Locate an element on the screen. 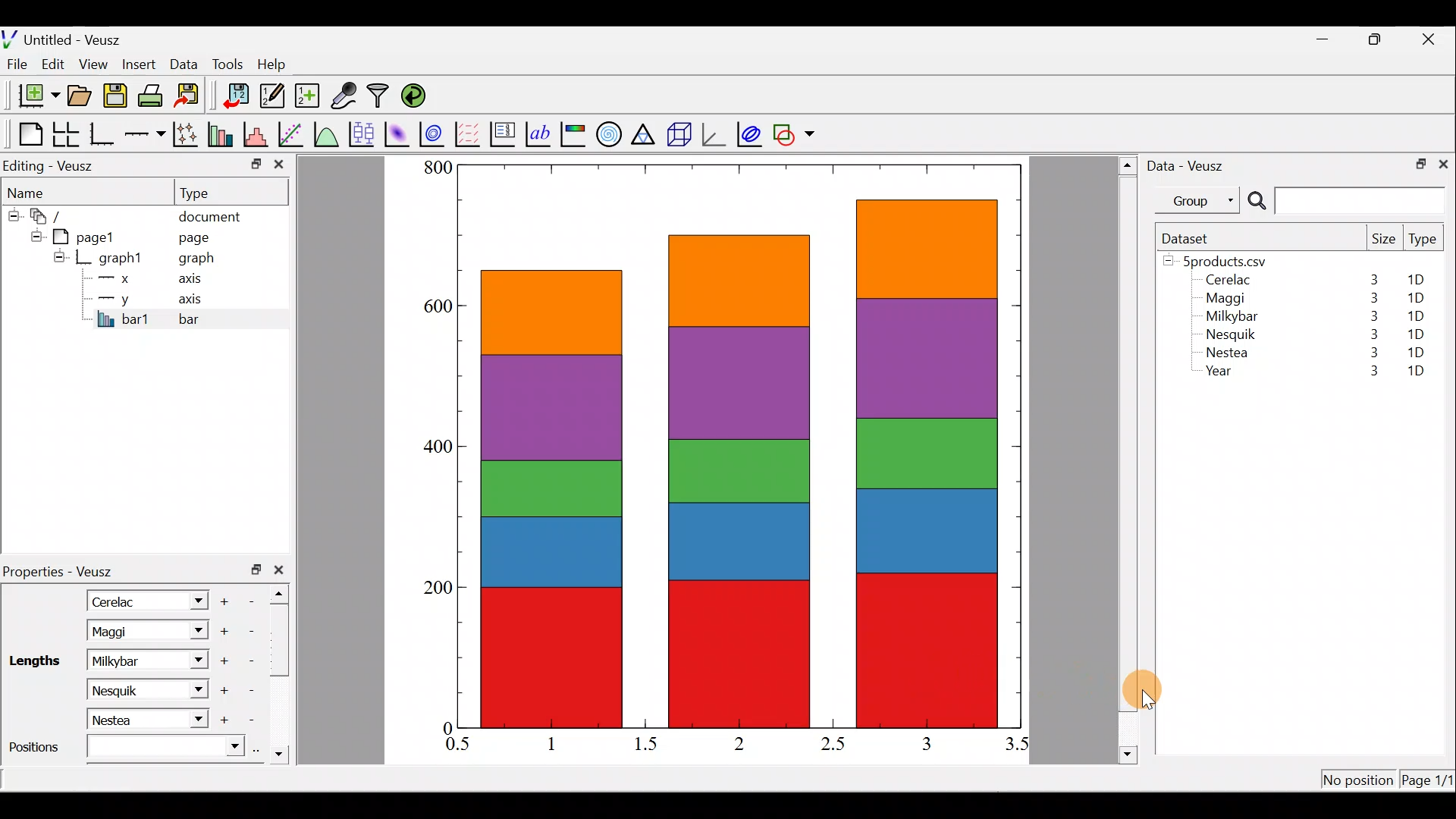  Milkybar is located at coordinates (1228, 318).